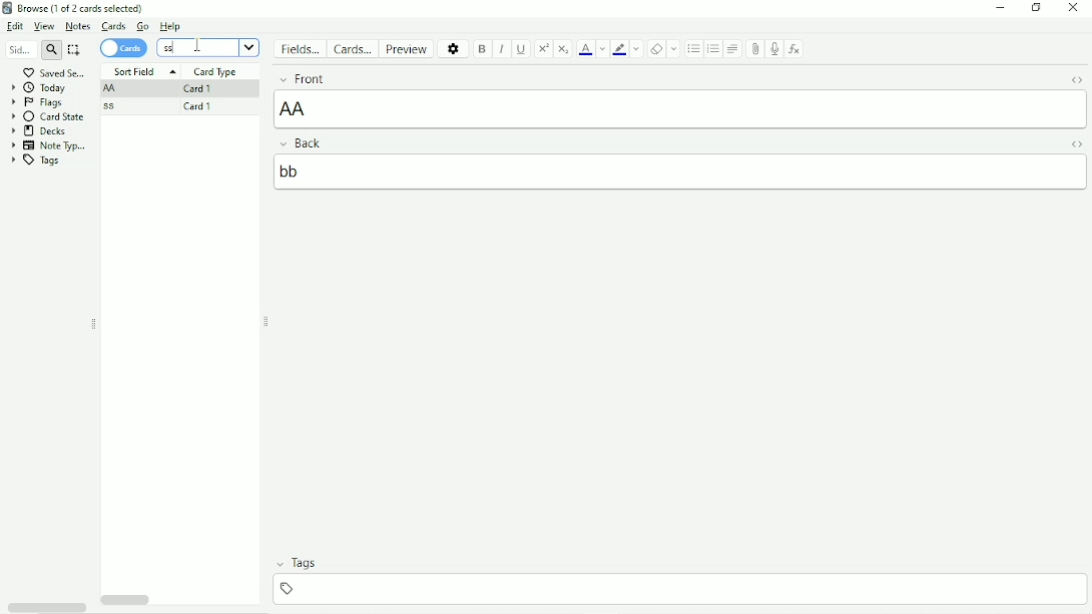 Image resolution: width=1092 pixels, height=614 pixels. I want to click on Cursor, so click(195, 46).